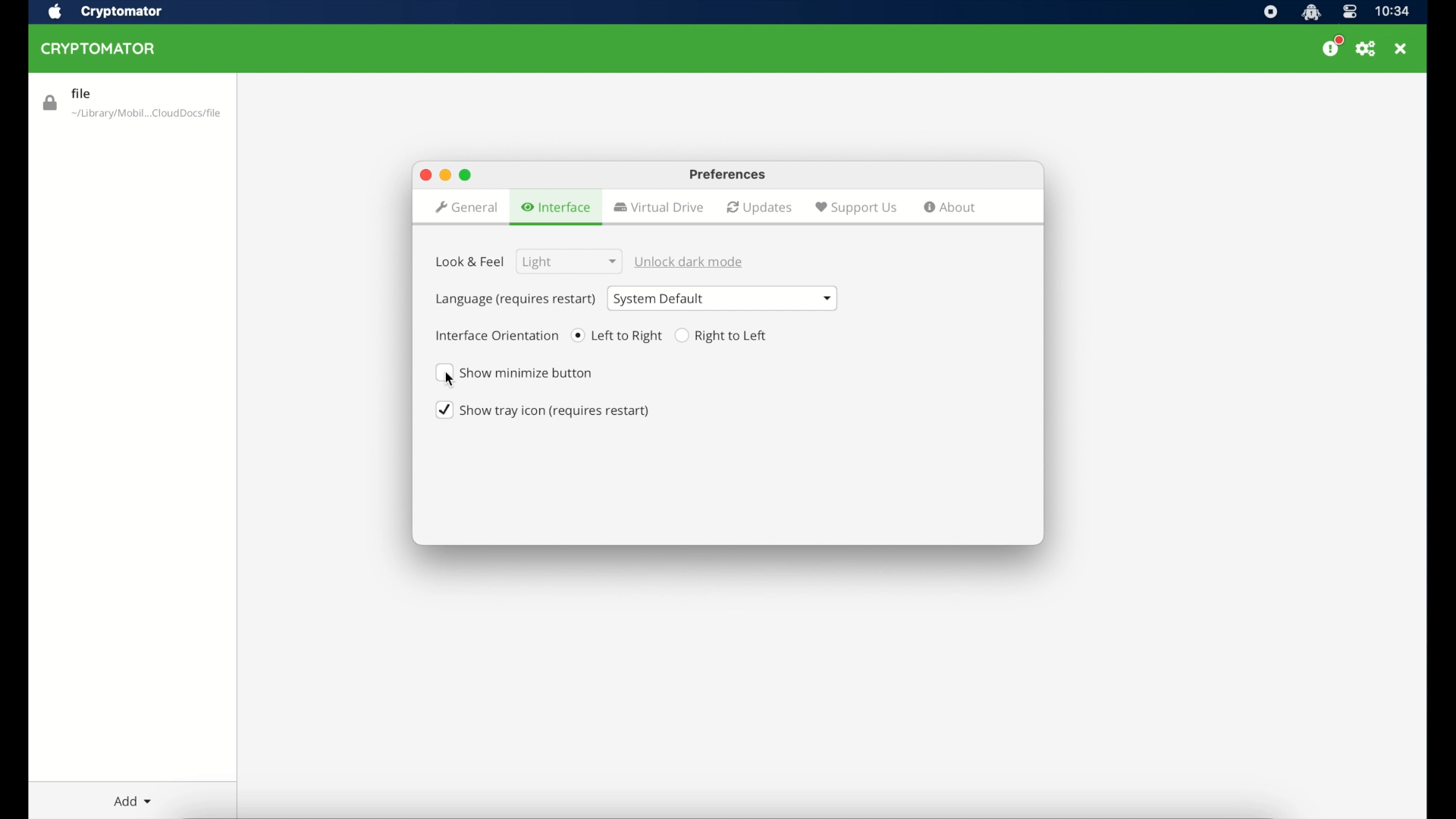  I want to click on virtual drive, so click(658, 207).